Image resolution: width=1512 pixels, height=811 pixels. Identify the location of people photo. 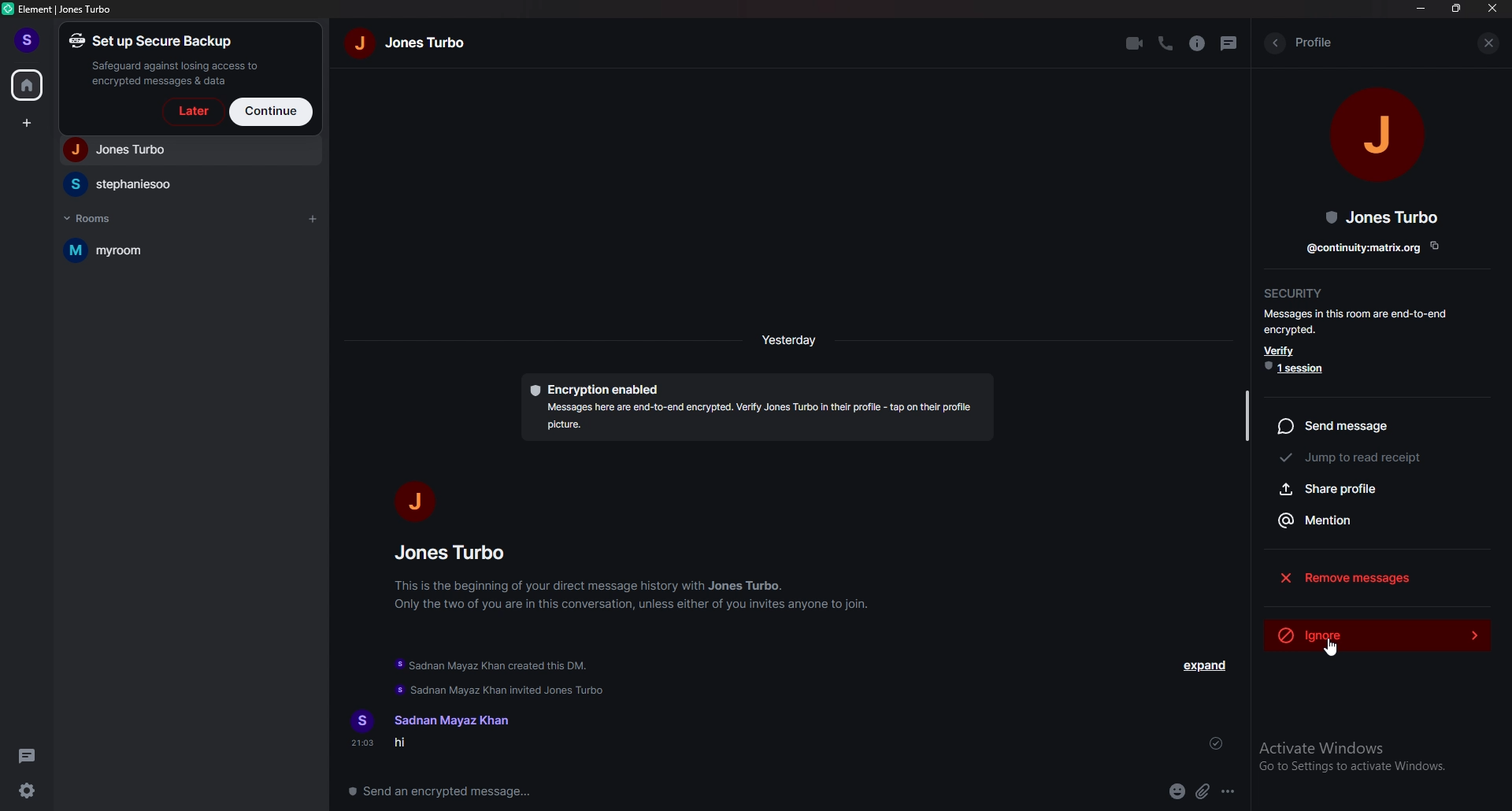
(1380, 131).